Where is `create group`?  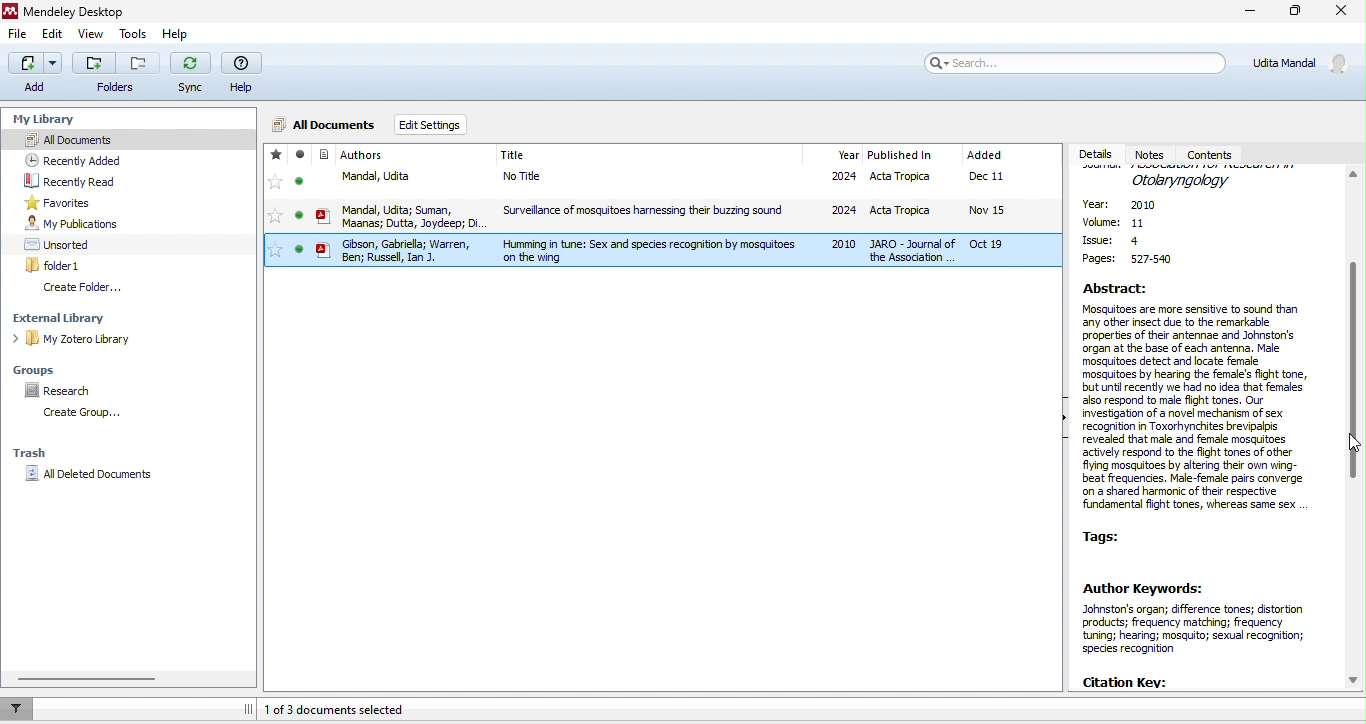 create group is located at coordinates (78, 413).